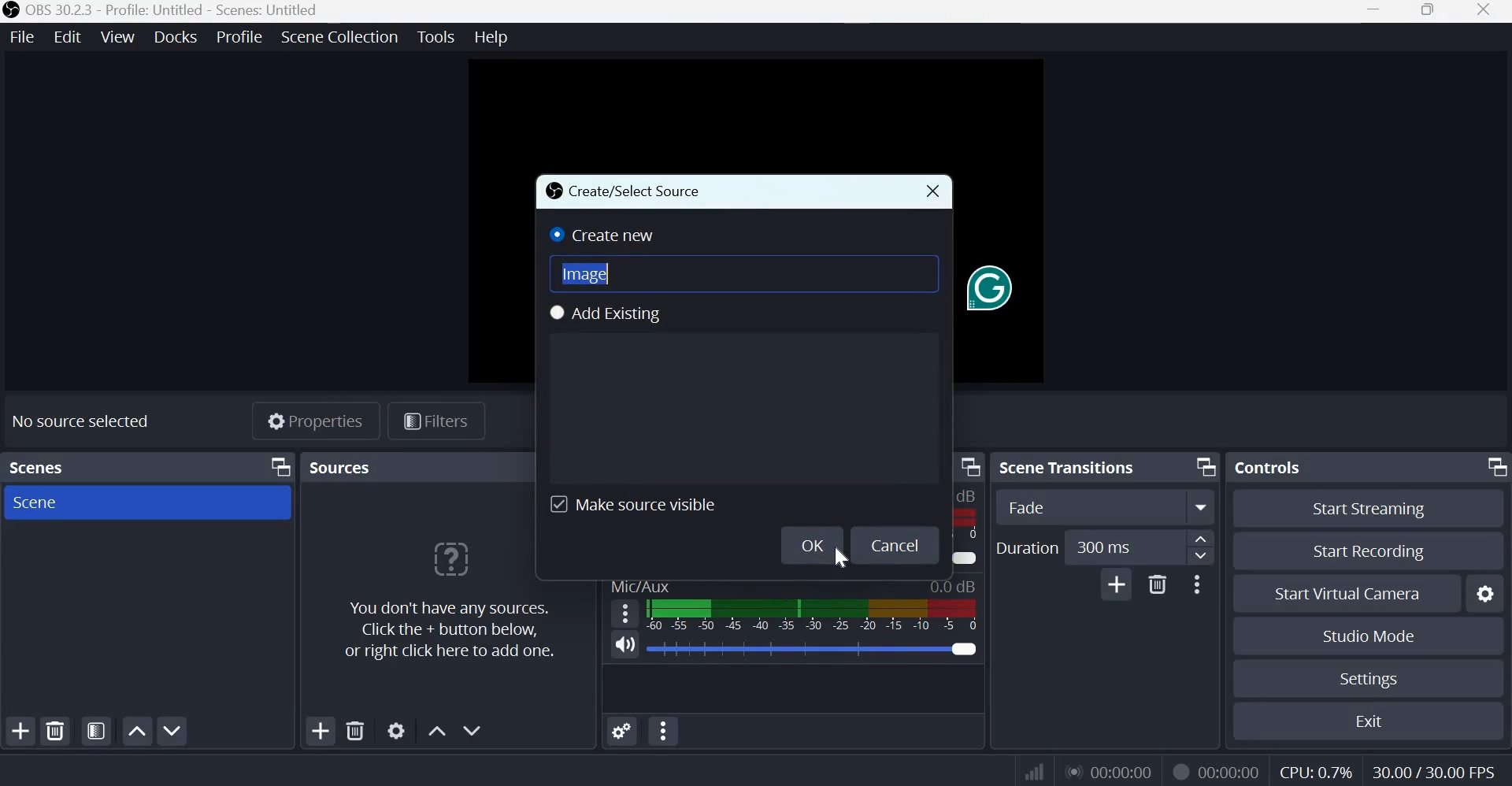  Describe the element at coordinates (1065, 468) in the screenshot. I see `Scene transitions` at that location.